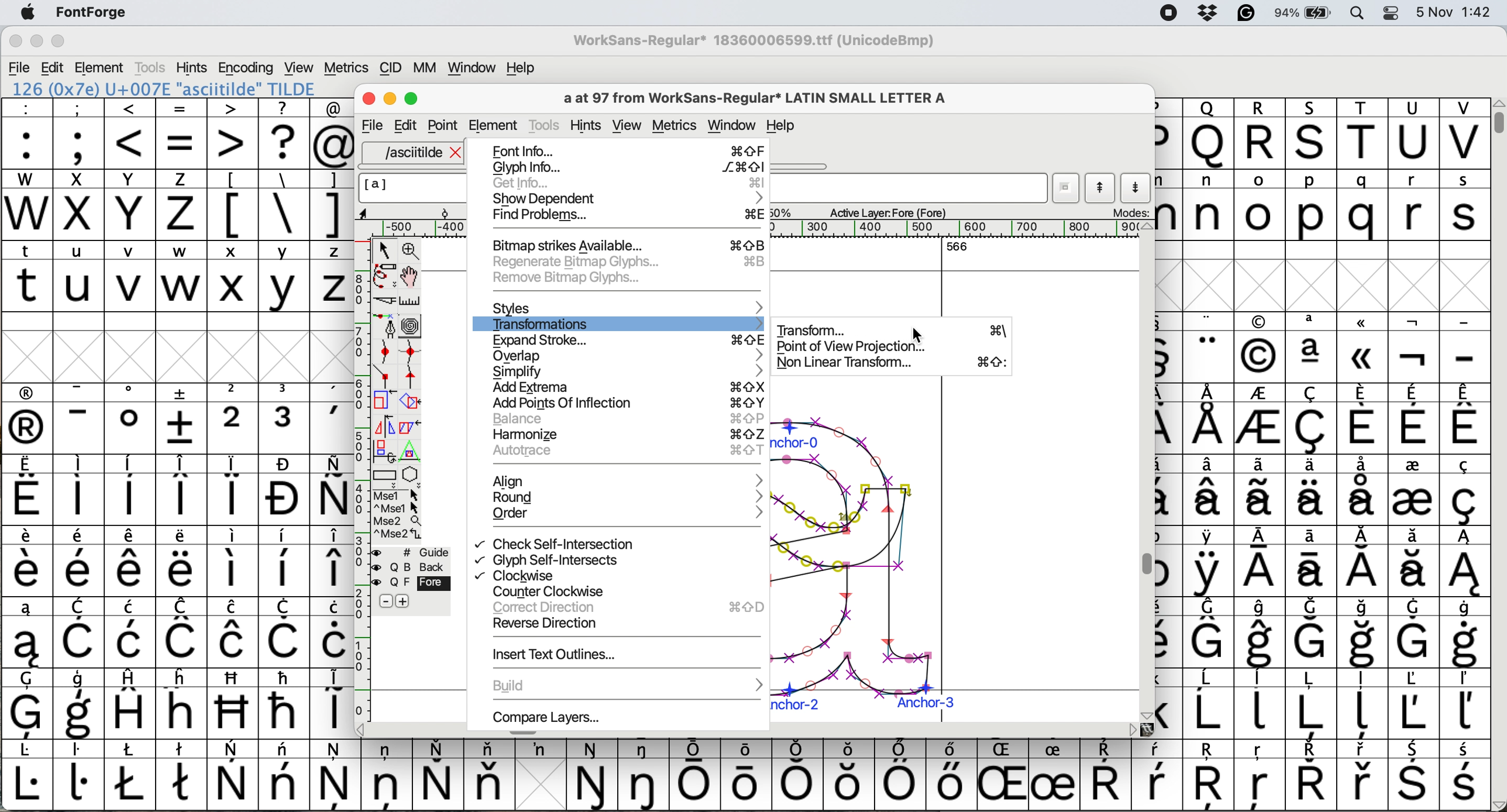  I want to click on , so click(1006, 775).